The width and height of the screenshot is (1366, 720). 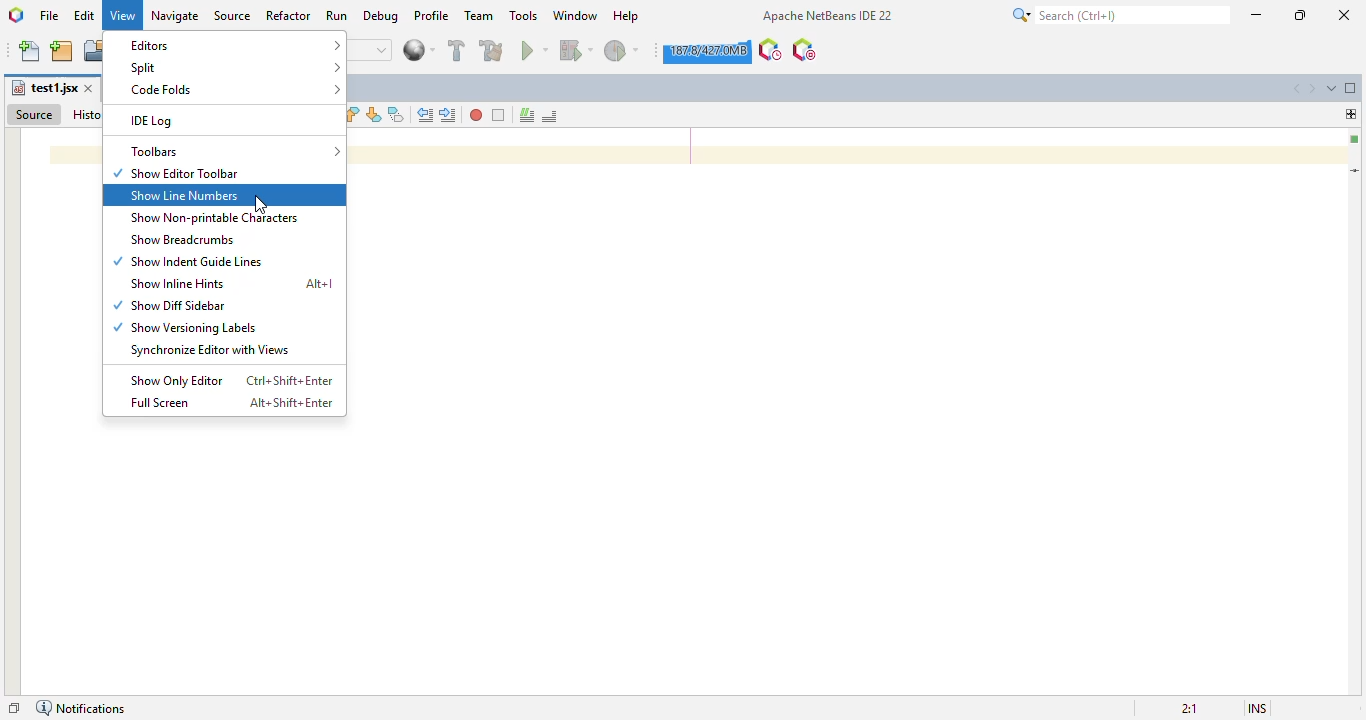 What do you see at coordinates (1353, 140) in the screenshot?
I see `no errors` at bounding box center [1353, 140].